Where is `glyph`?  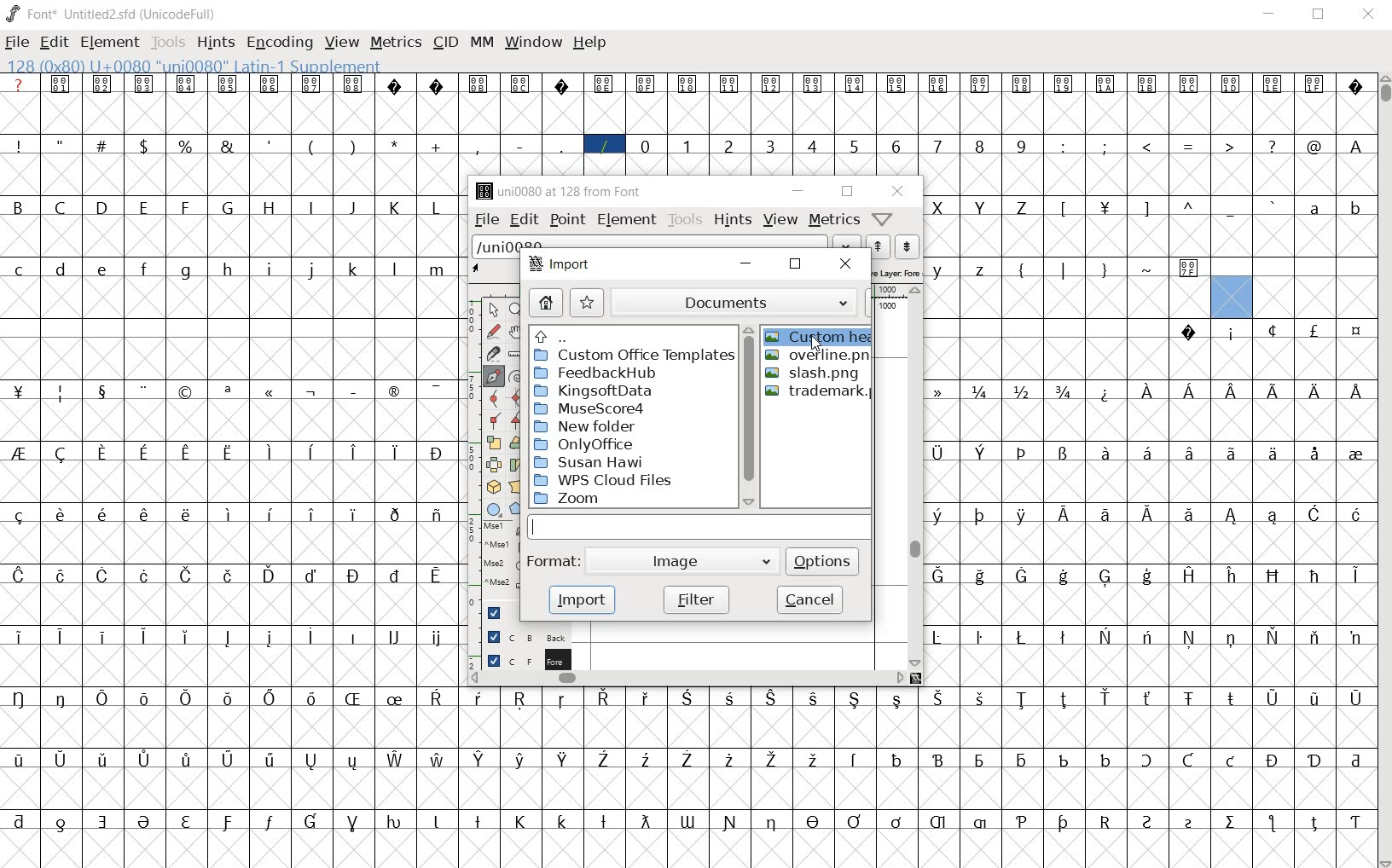
glyph is located at coordinates (1022, 516).